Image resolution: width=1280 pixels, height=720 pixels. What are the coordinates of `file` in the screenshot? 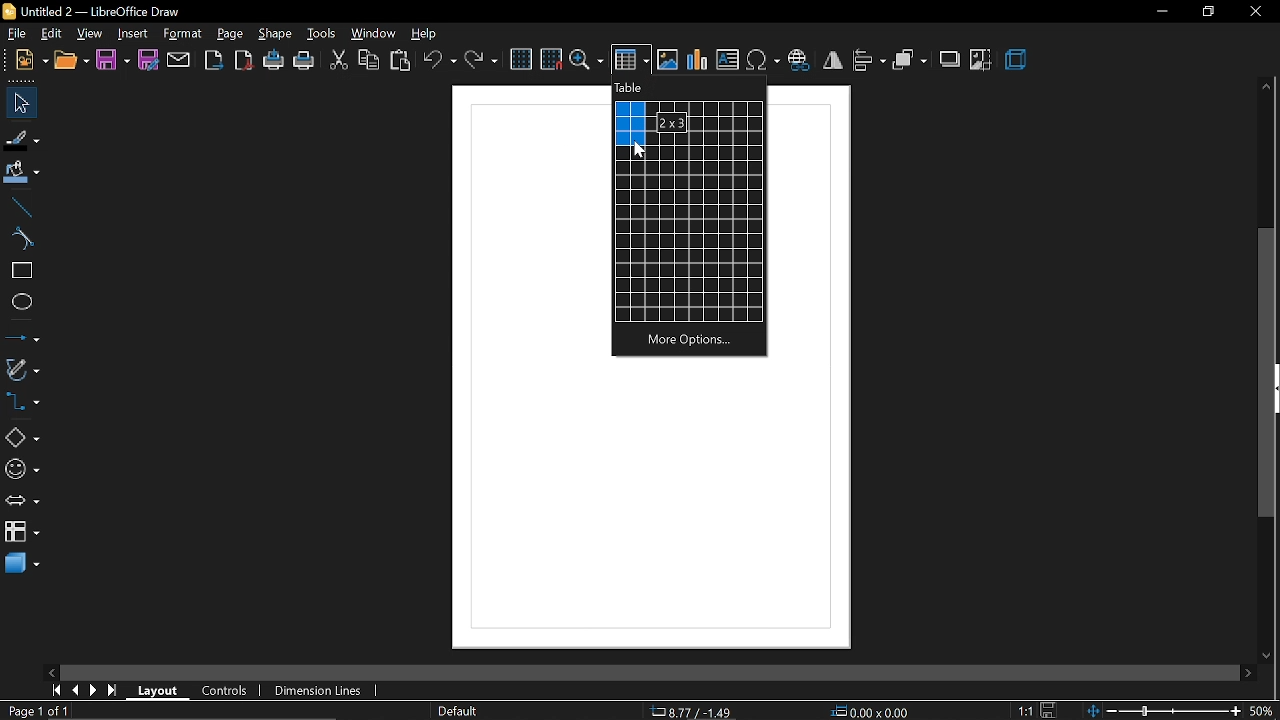 It's located at (16, 34).